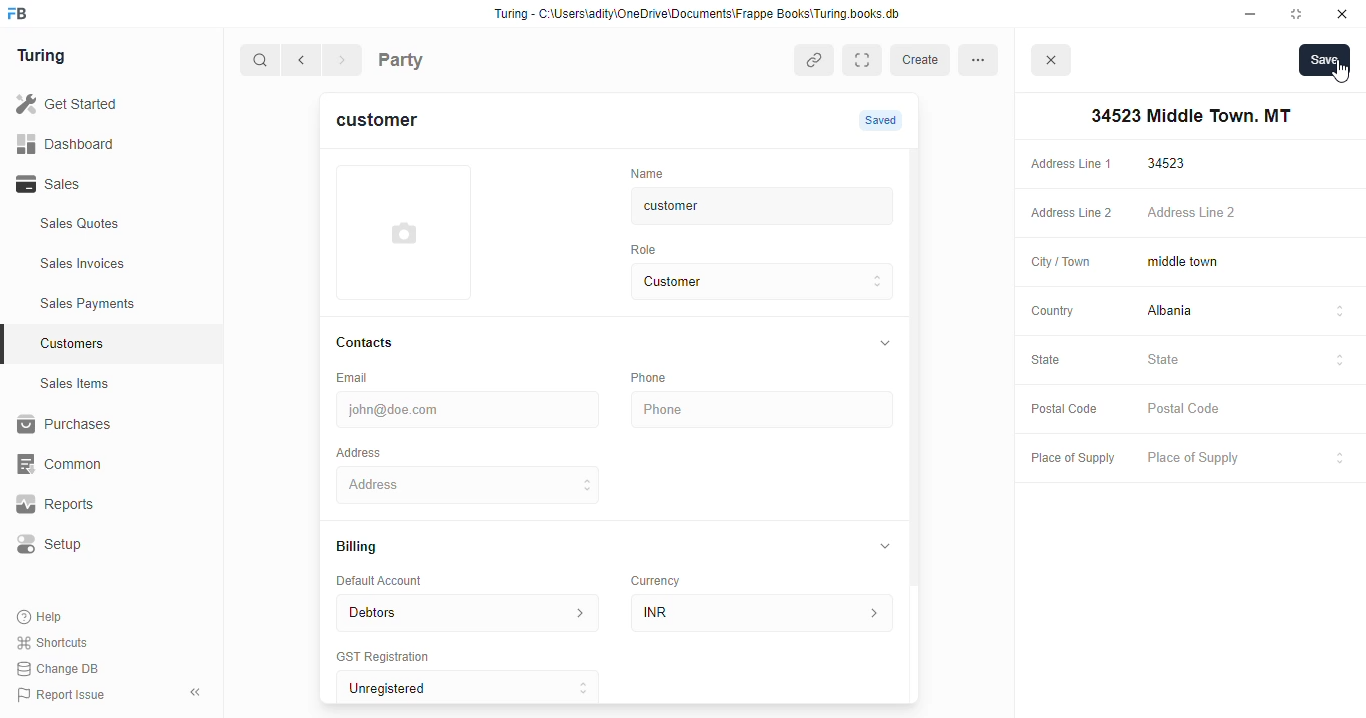 This screenshot has width=1366, height=718. Describe the element at coordinates (62, 668) in the screenshot. I see `Change DB` at that location.